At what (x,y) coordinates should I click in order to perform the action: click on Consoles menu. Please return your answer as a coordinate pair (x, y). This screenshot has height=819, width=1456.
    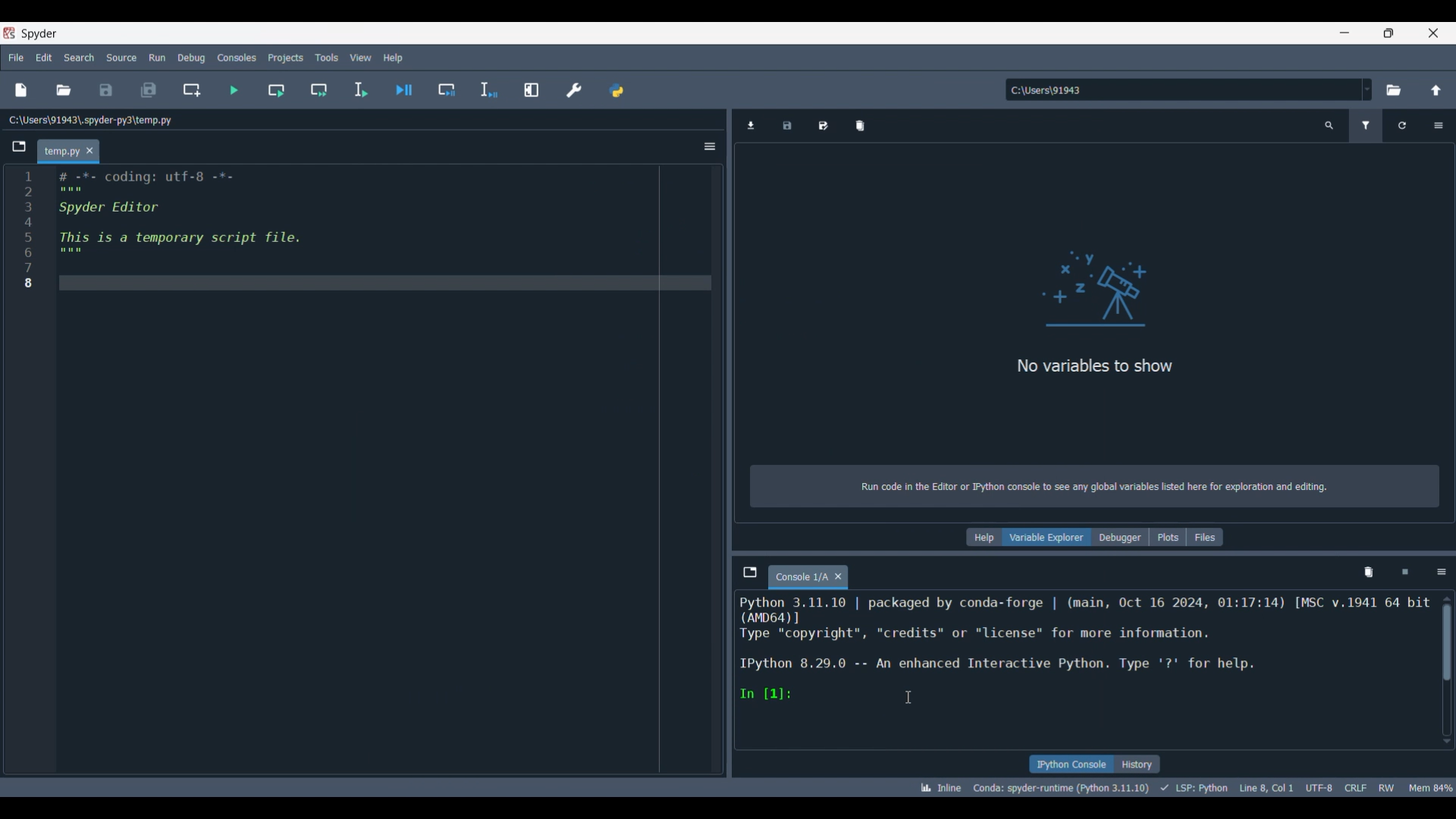
    Looking at the image, I should click on (237, 58).